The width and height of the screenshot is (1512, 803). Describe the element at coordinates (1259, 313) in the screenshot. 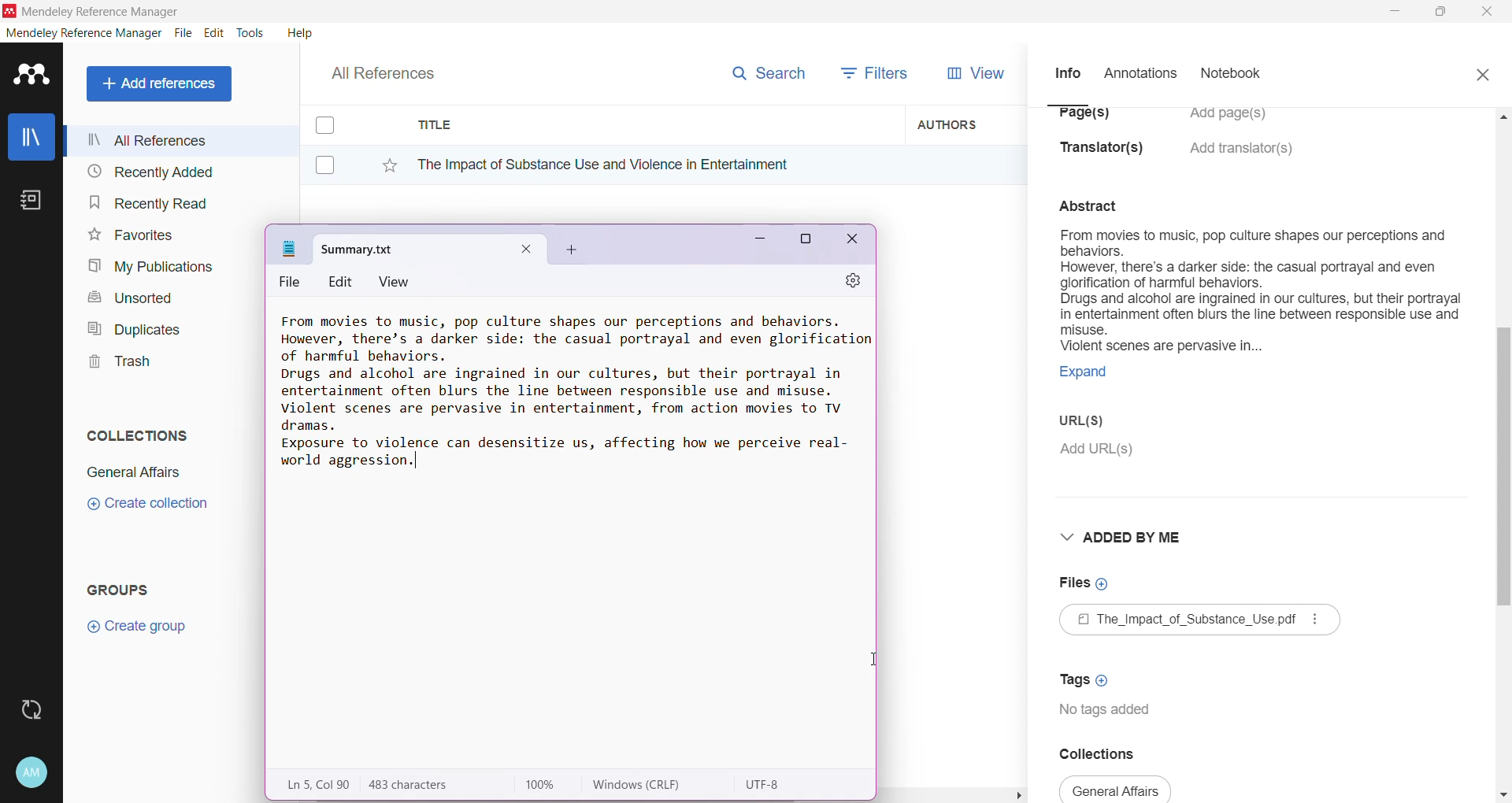

I see `Document summary selected to be copied` at that location.